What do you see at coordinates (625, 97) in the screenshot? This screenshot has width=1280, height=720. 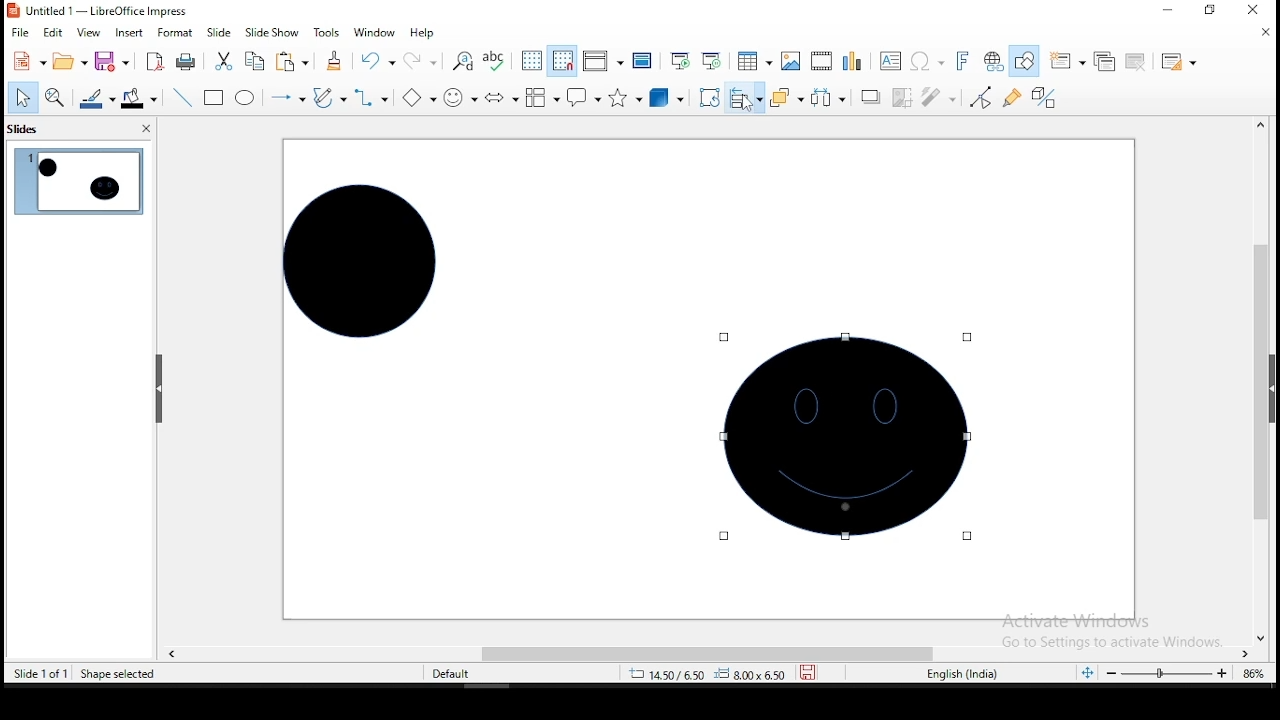 I see `stars and banners` at bounding box center [625, 97].